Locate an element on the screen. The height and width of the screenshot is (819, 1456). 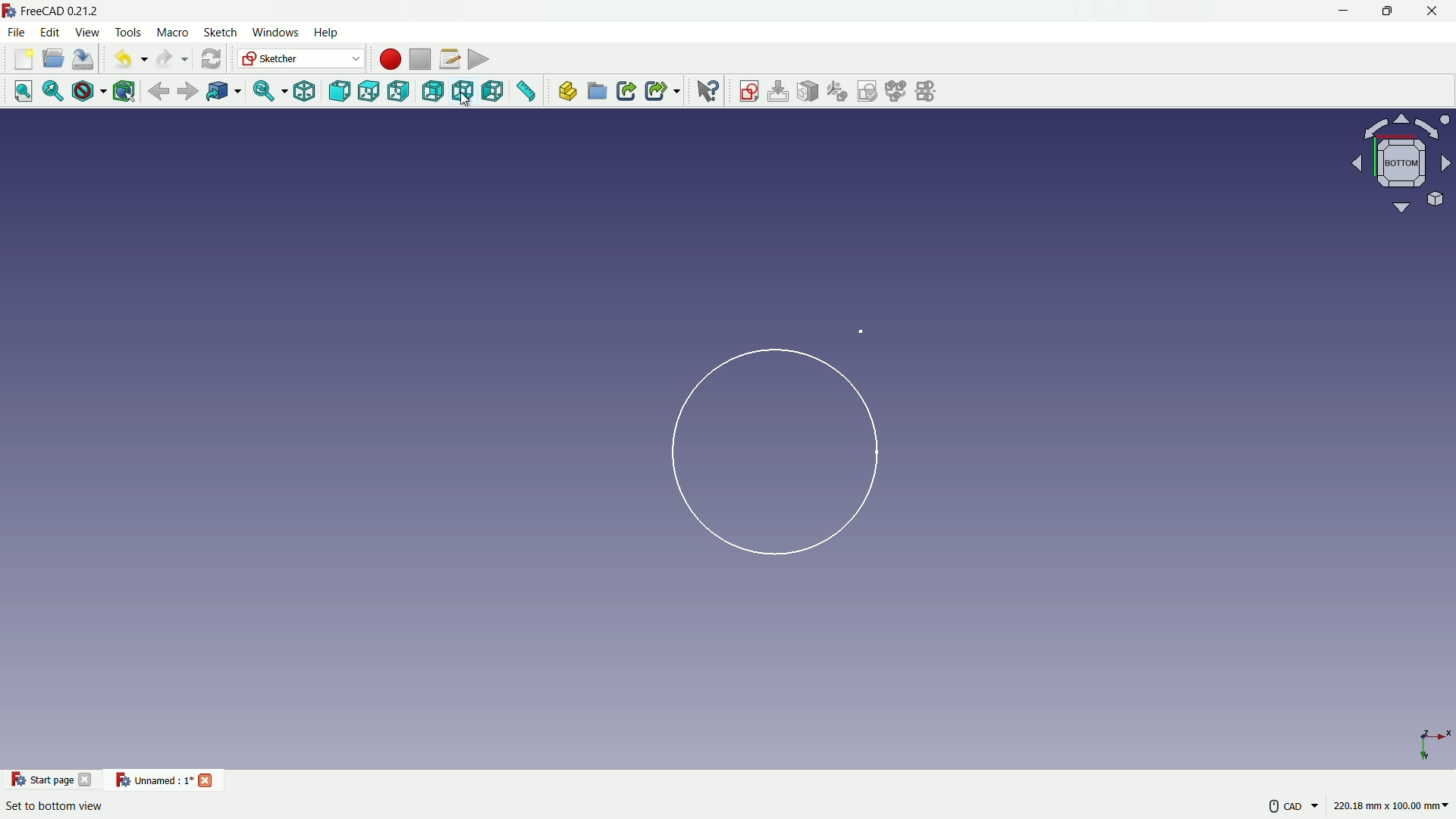
file name is located at coordinates (152, 781).